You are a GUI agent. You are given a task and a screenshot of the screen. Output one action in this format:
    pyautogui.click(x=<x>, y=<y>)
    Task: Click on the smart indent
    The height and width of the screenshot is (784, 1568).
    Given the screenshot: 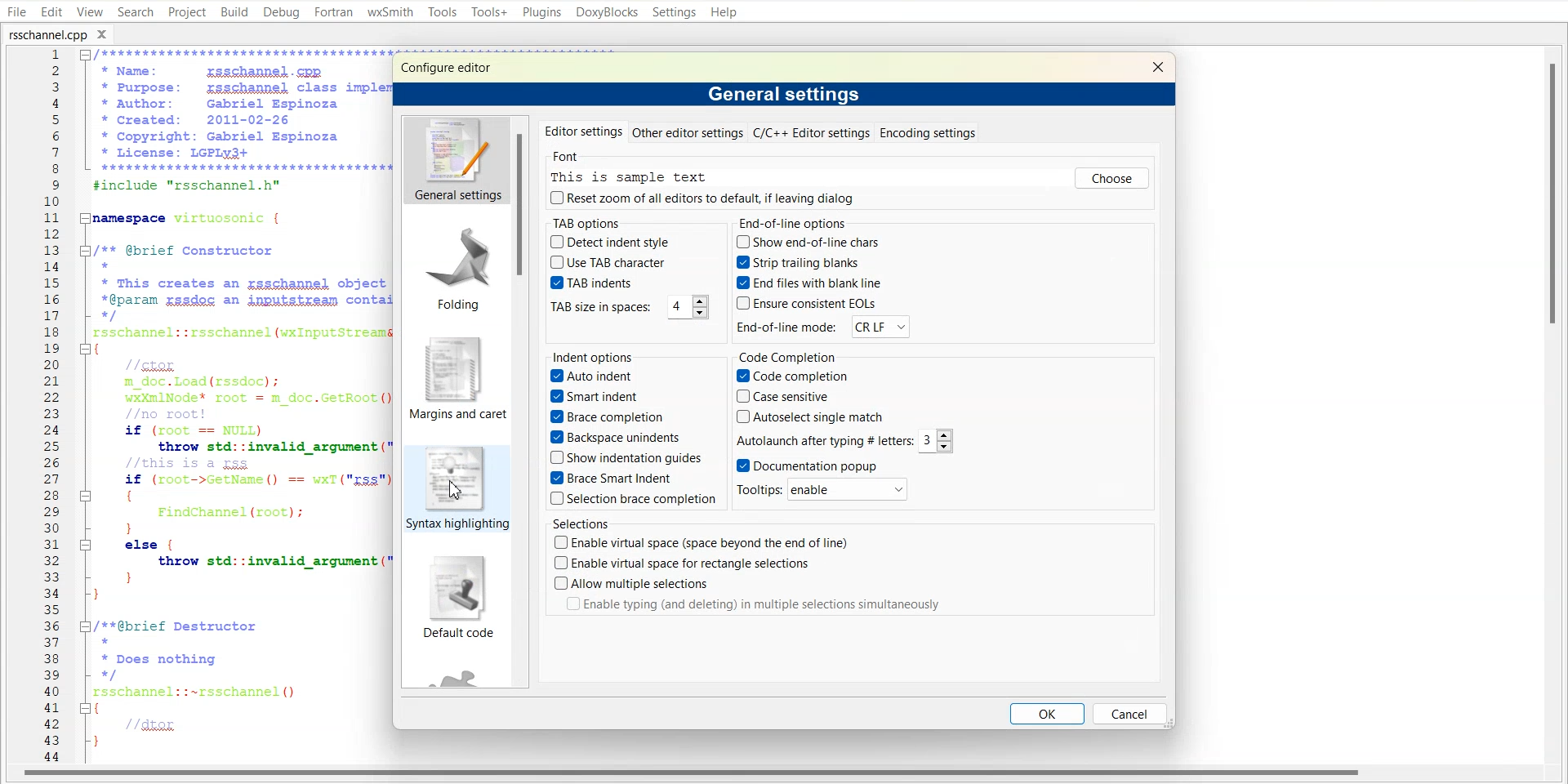 What is the action you would take?
    pyautogui.click(x=595, y=396)
    